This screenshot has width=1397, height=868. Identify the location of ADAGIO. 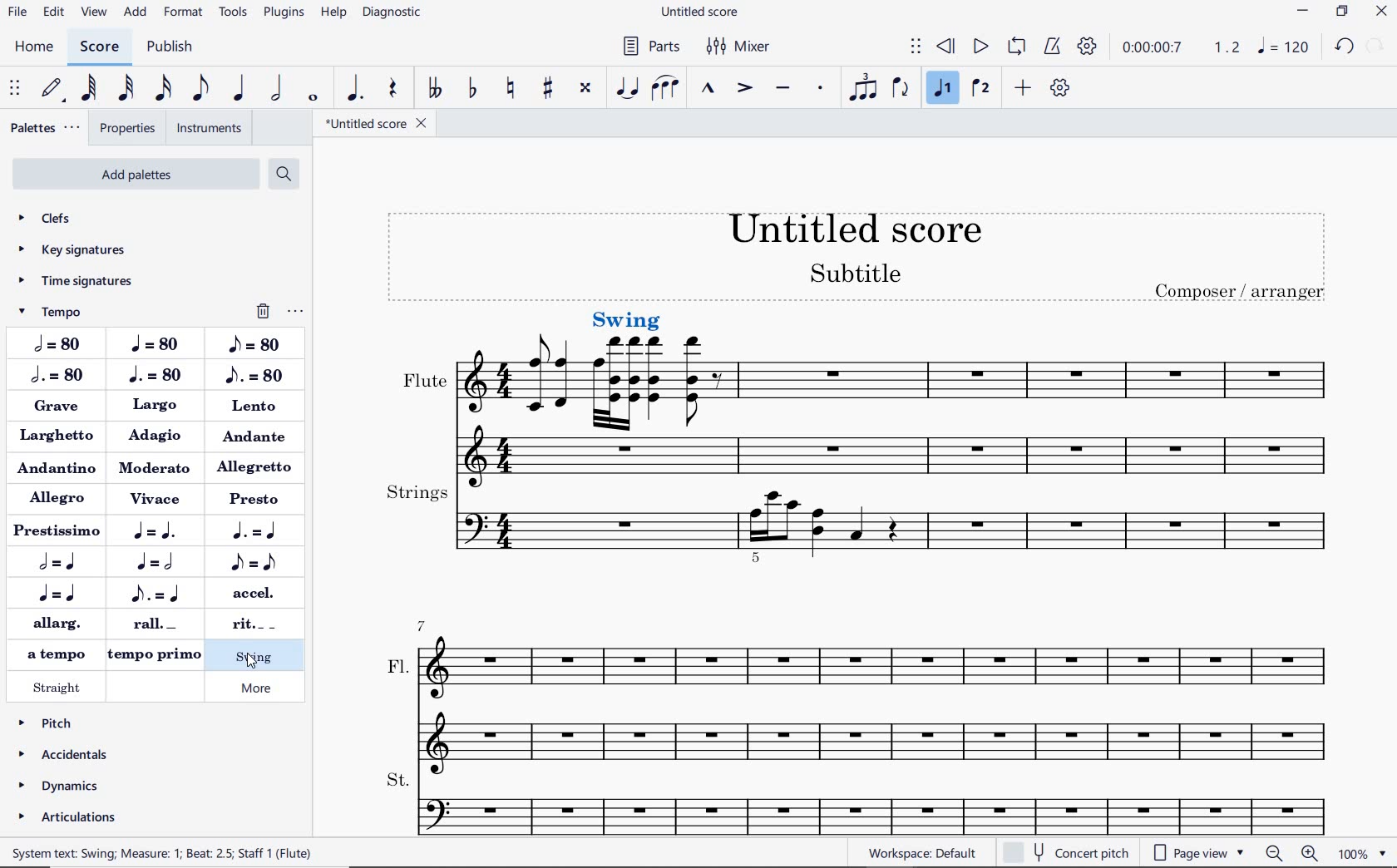
(158, 436).